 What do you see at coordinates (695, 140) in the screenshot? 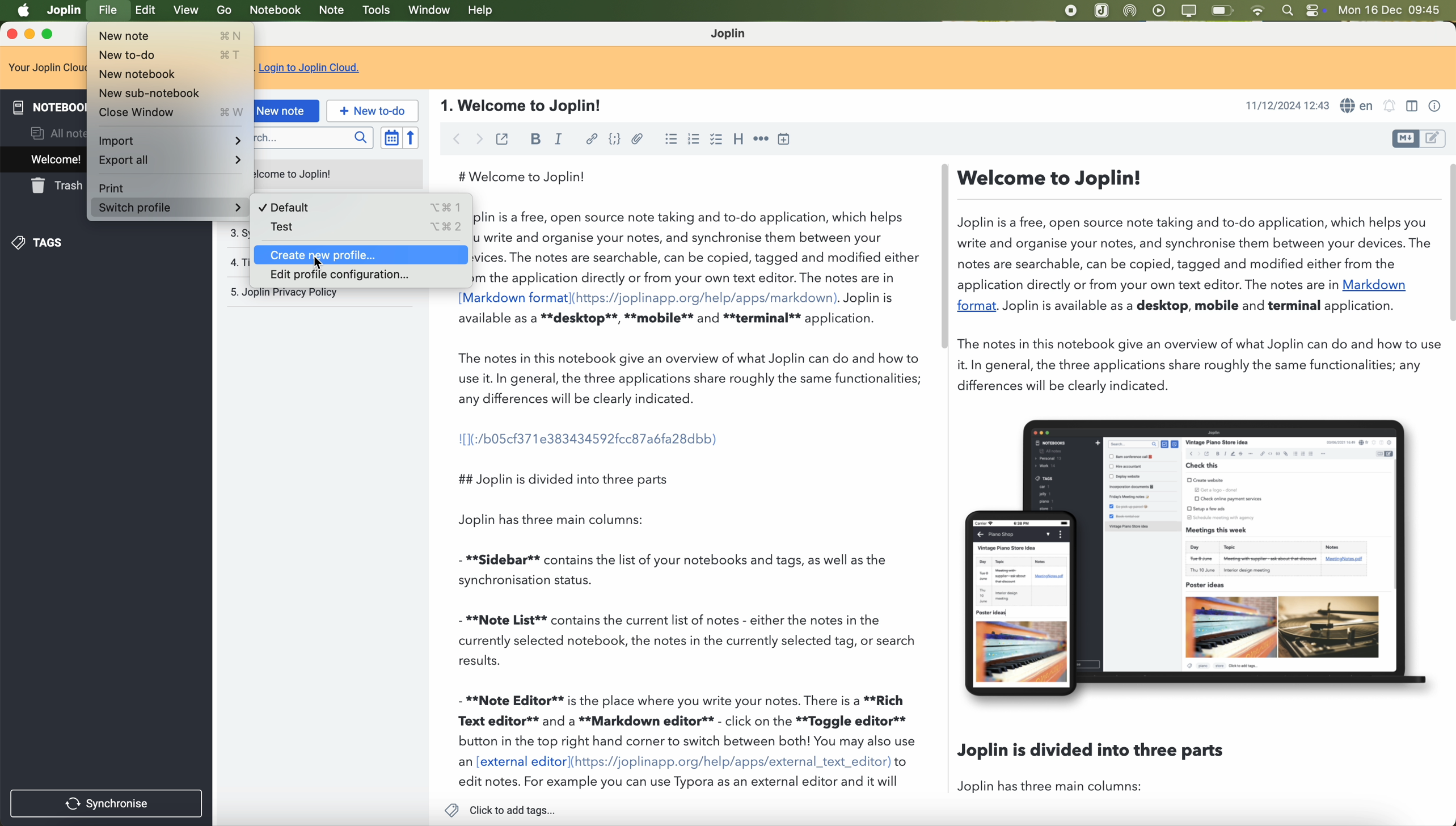
I see `numbered list` at bounding box center [695, 140].